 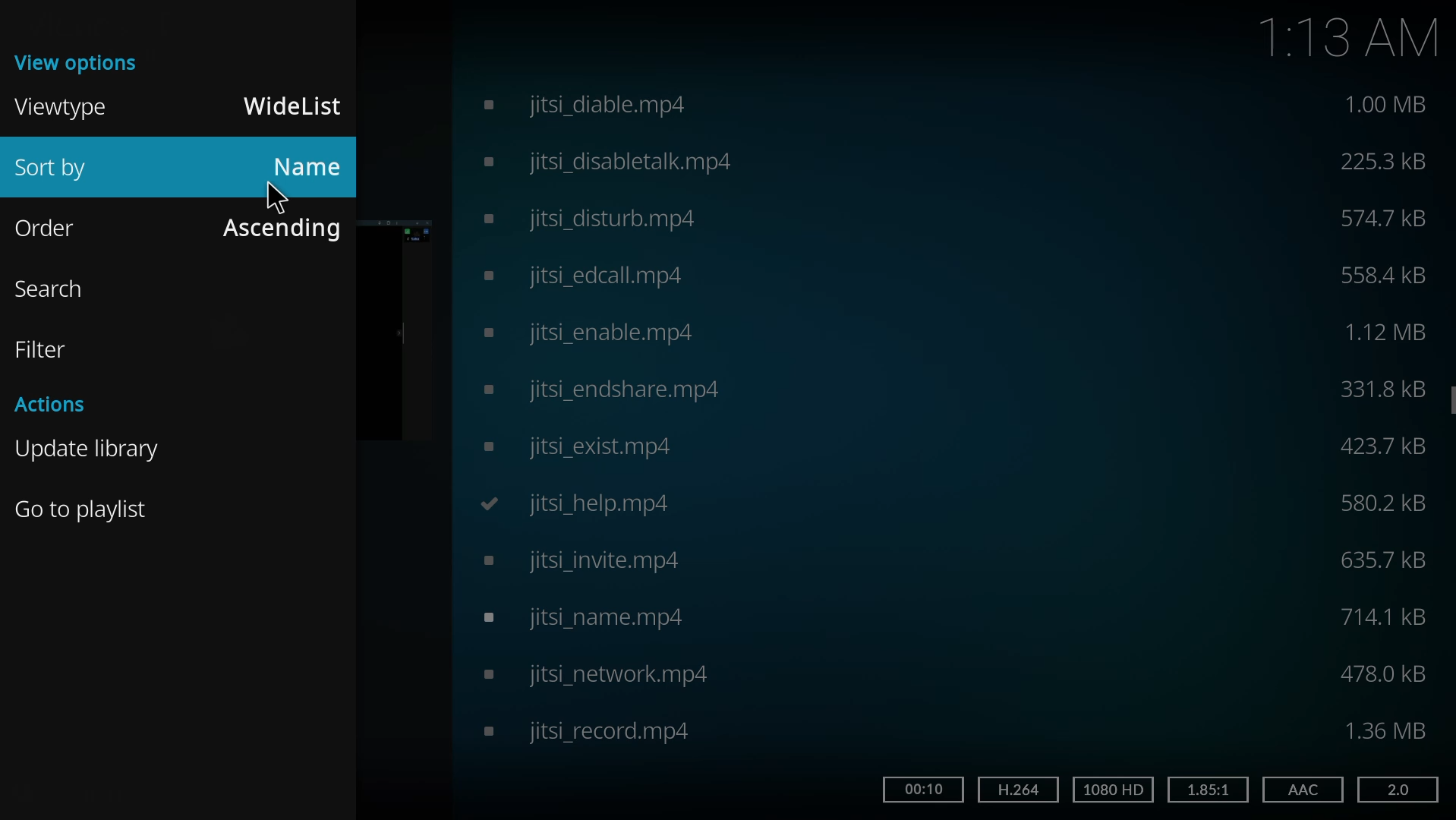 I want to click on go to, so click(x=87, y=508).